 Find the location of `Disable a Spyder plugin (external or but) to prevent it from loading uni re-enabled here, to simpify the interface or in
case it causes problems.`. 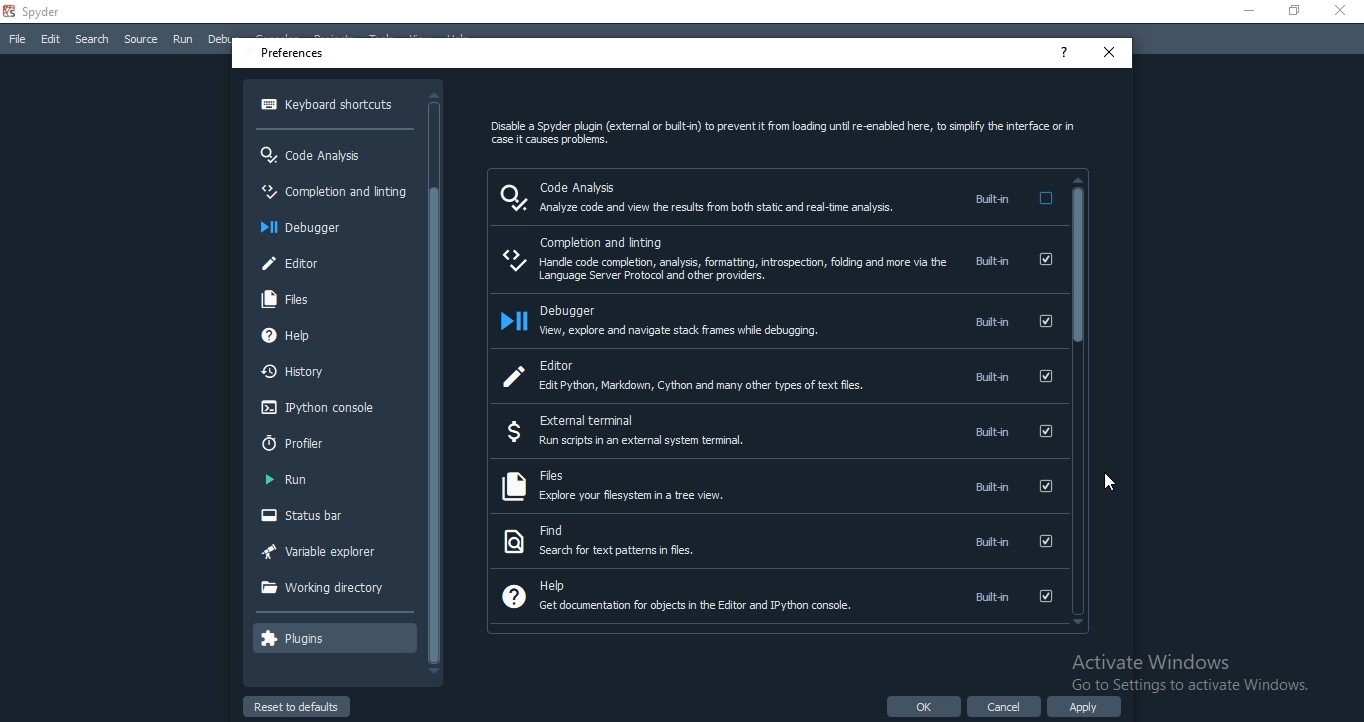

Disable a Spyder plugin (external or but) to prevent it from loading uni re-enabled here, to simpify the interface or in
case it causes problems. is located at coordinates (776, 135).